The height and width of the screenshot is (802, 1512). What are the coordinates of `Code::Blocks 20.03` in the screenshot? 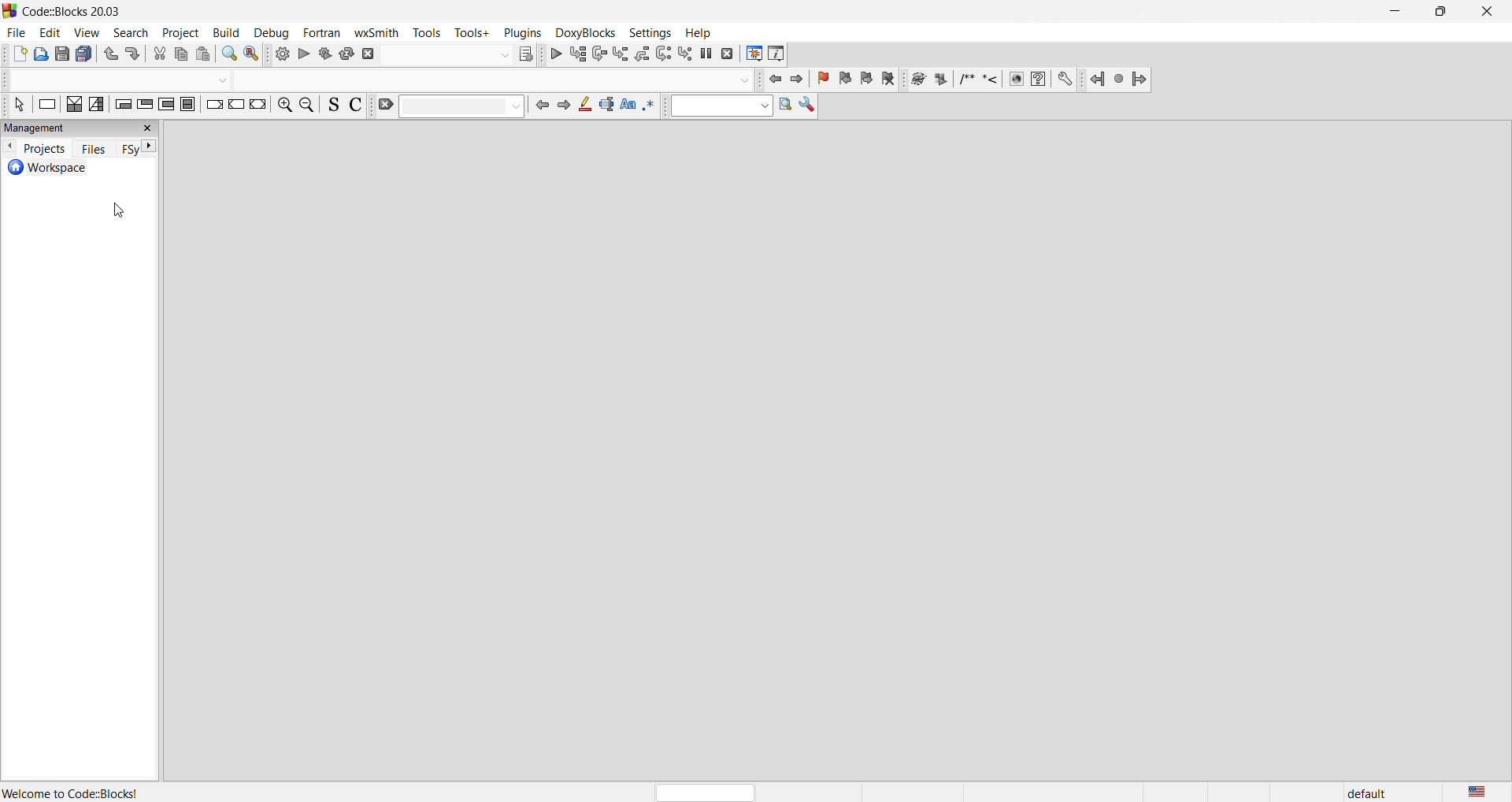 It's located at (66, 11).